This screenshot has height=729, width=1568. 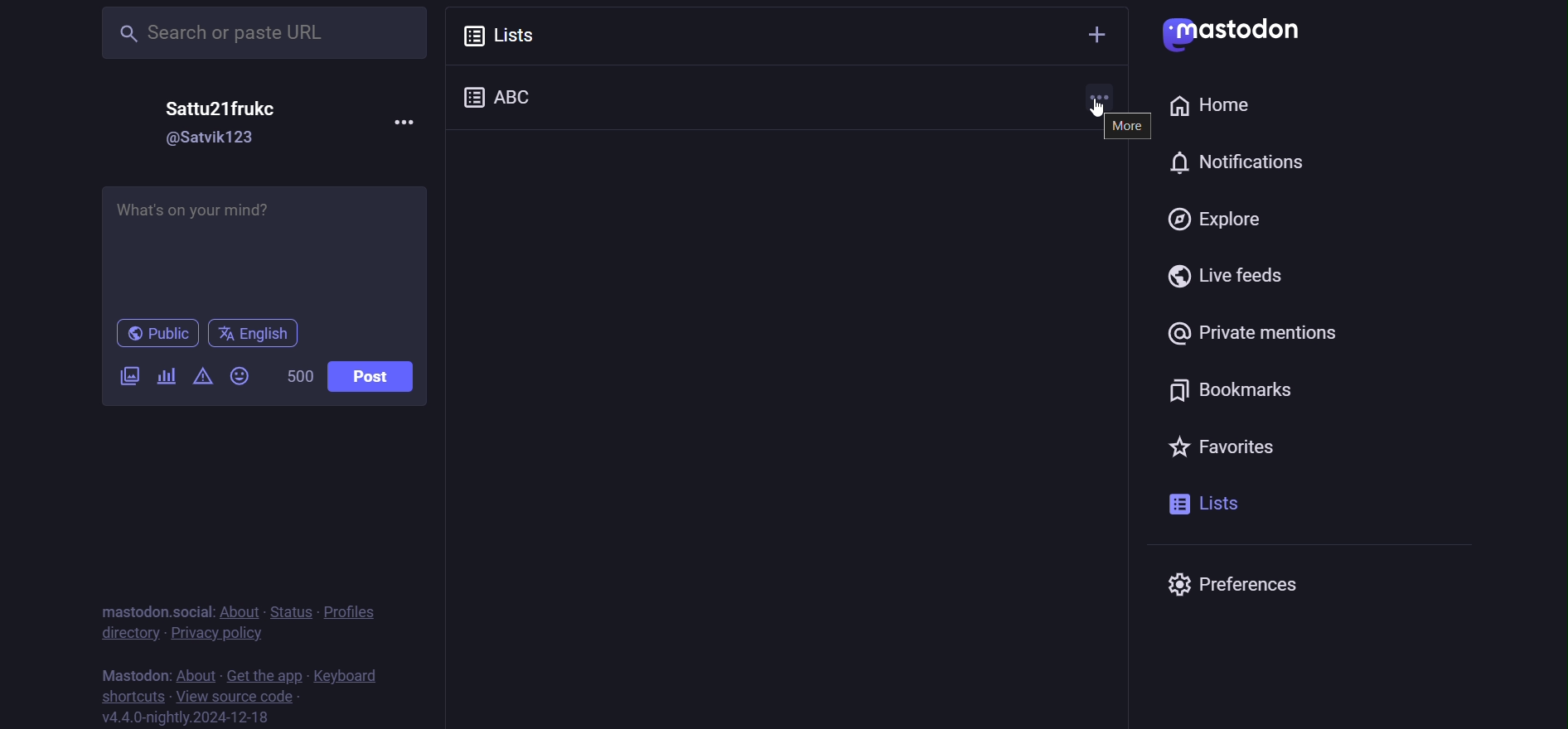 I want to click on mastodon social, so click(x=152, y=608).